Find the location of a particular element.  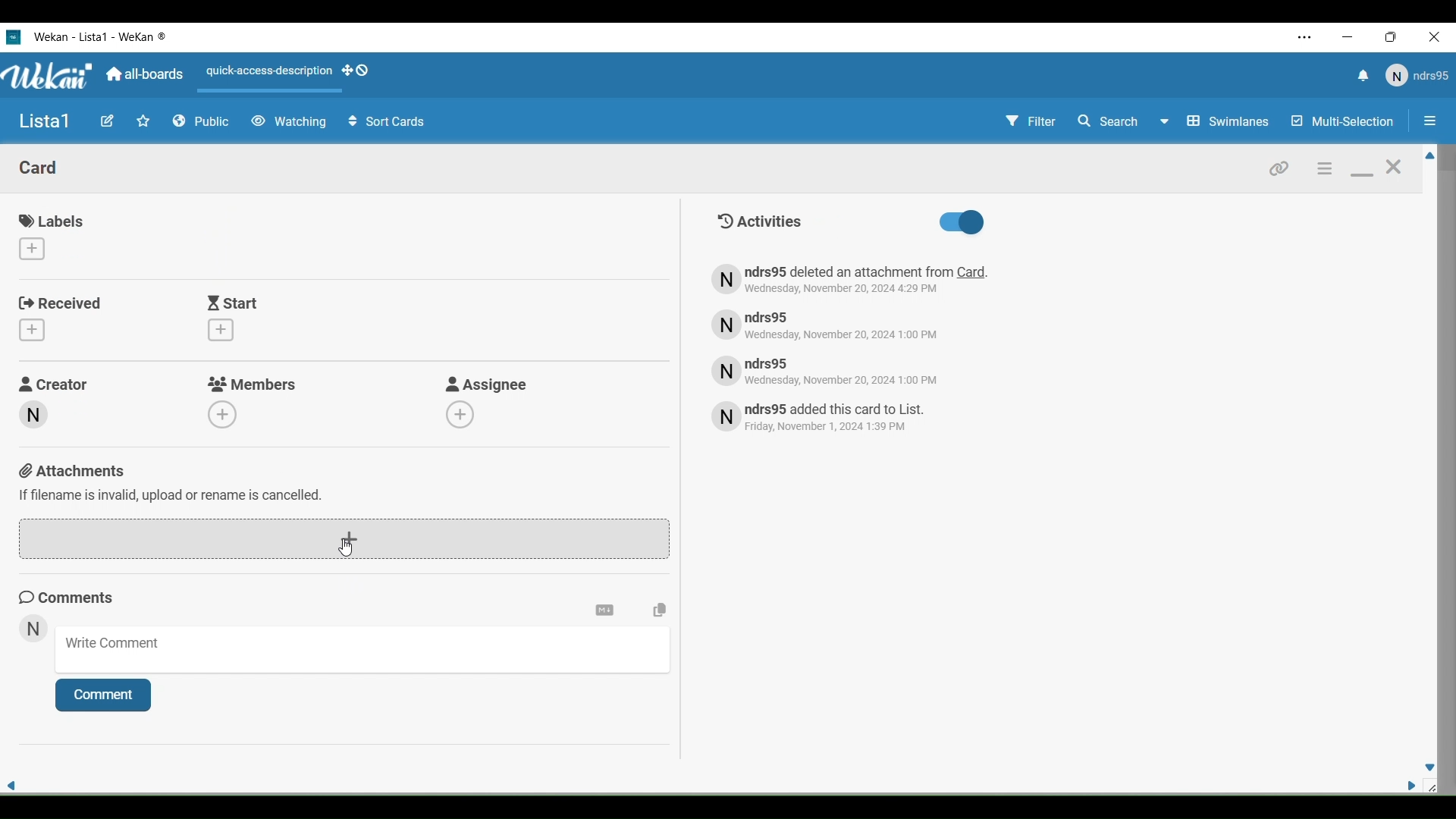

Add assignee is located at coordinates (460, 414).